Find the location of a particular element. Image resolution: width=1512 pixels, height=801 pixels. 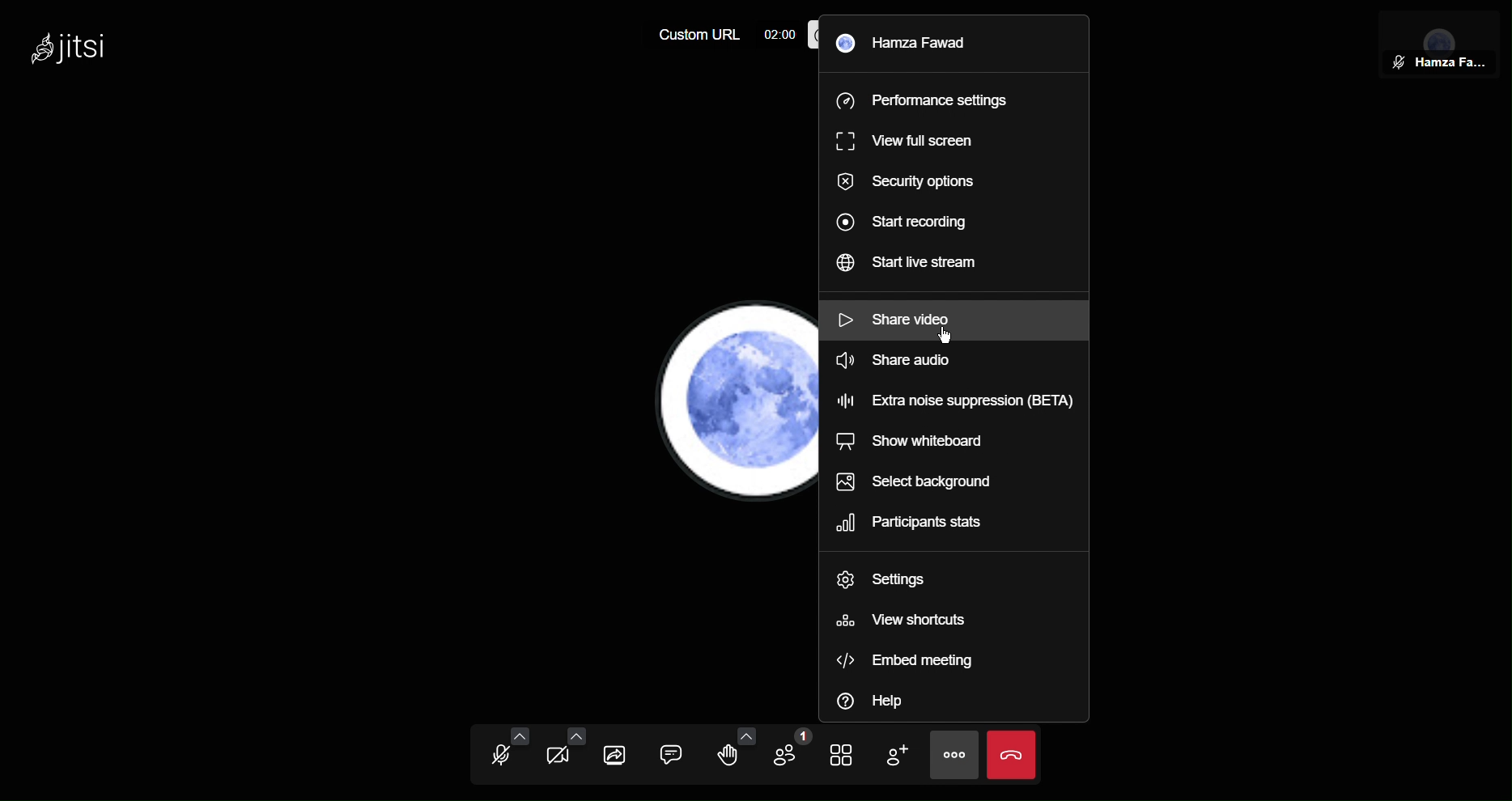

Embed meeting is located at coordinates (911, 656).